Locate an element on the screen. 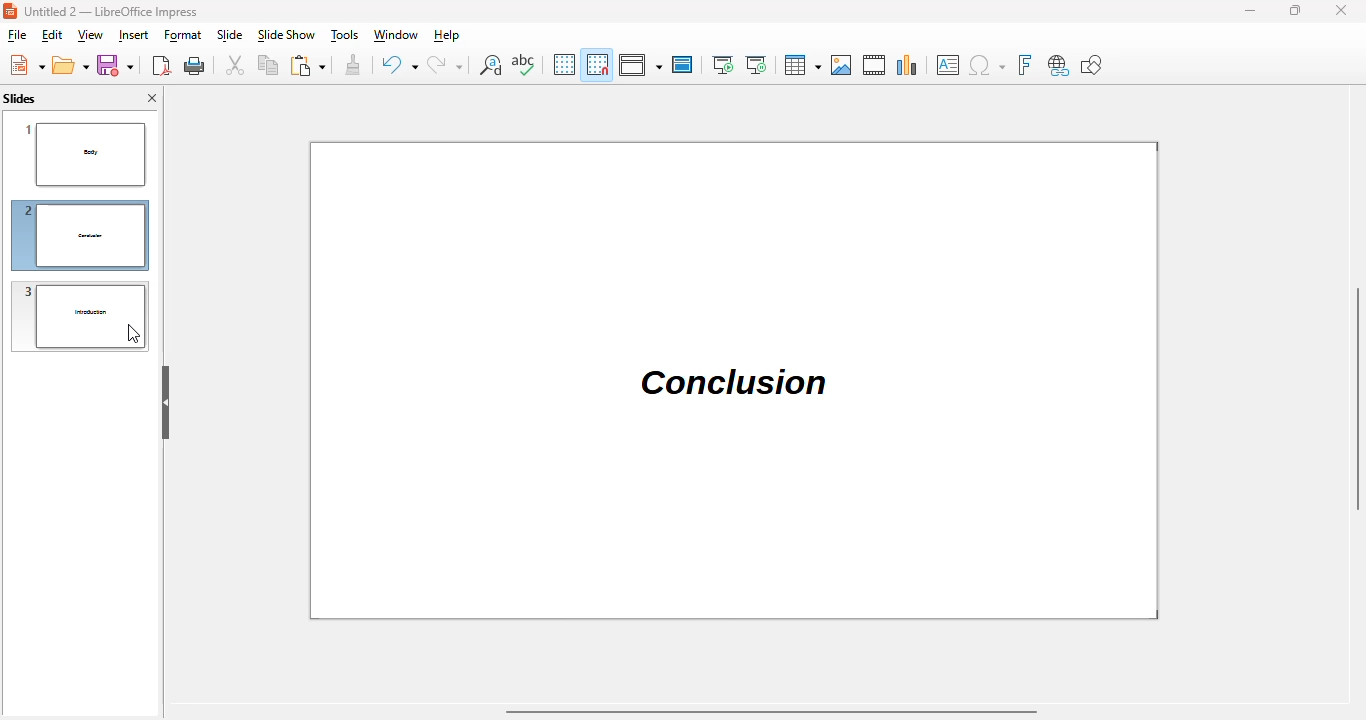 The height and width of the screenshot is (720, 1366). slide show is located at coordinates (286, 35).